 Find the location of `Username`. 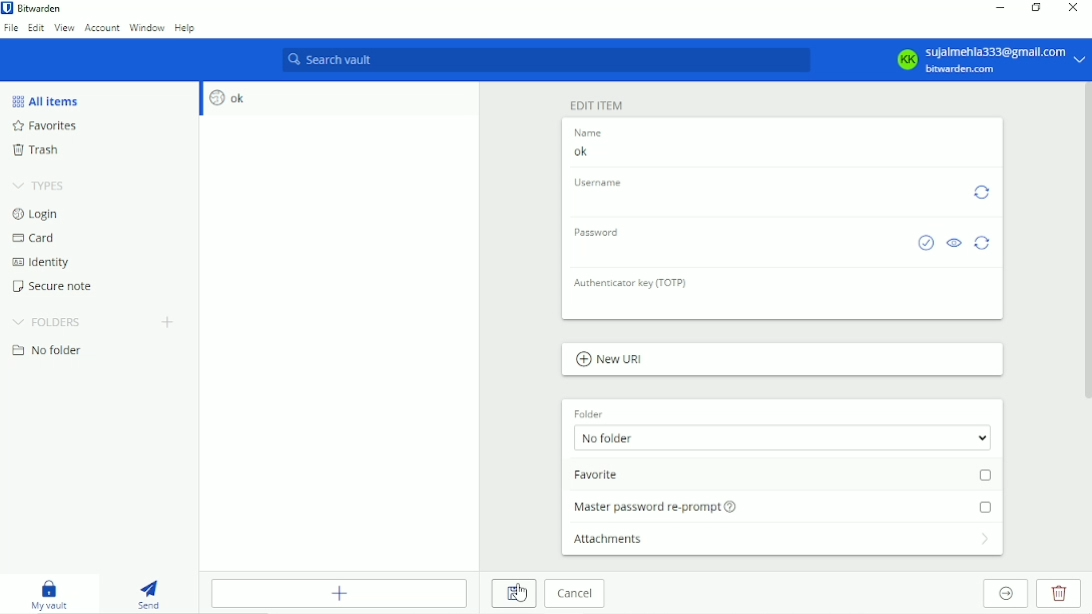

Username is located at coordinates (600, 181).